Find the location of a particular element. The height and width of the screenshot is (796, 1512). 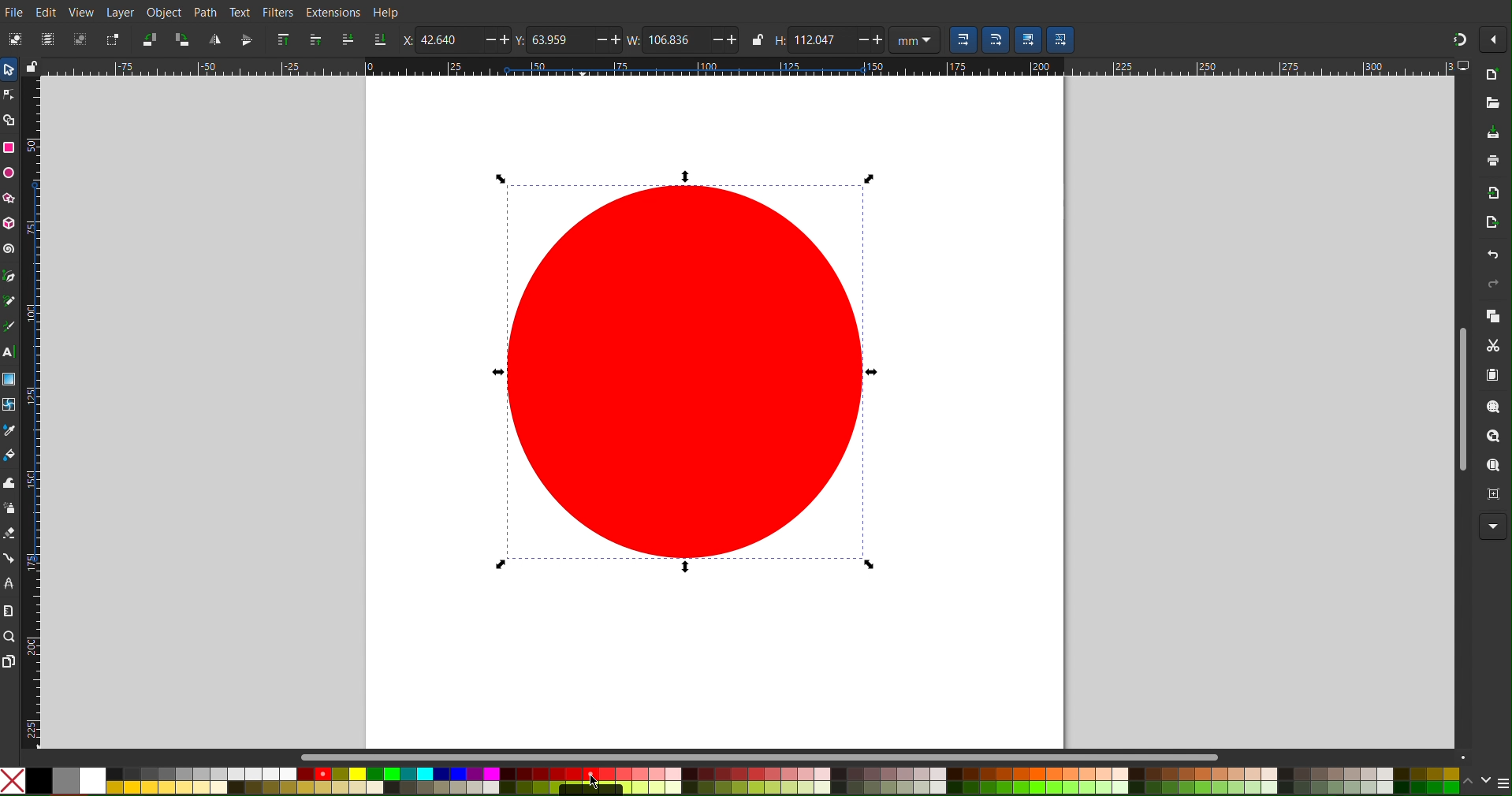

lock is located at coordinates (31, 66).